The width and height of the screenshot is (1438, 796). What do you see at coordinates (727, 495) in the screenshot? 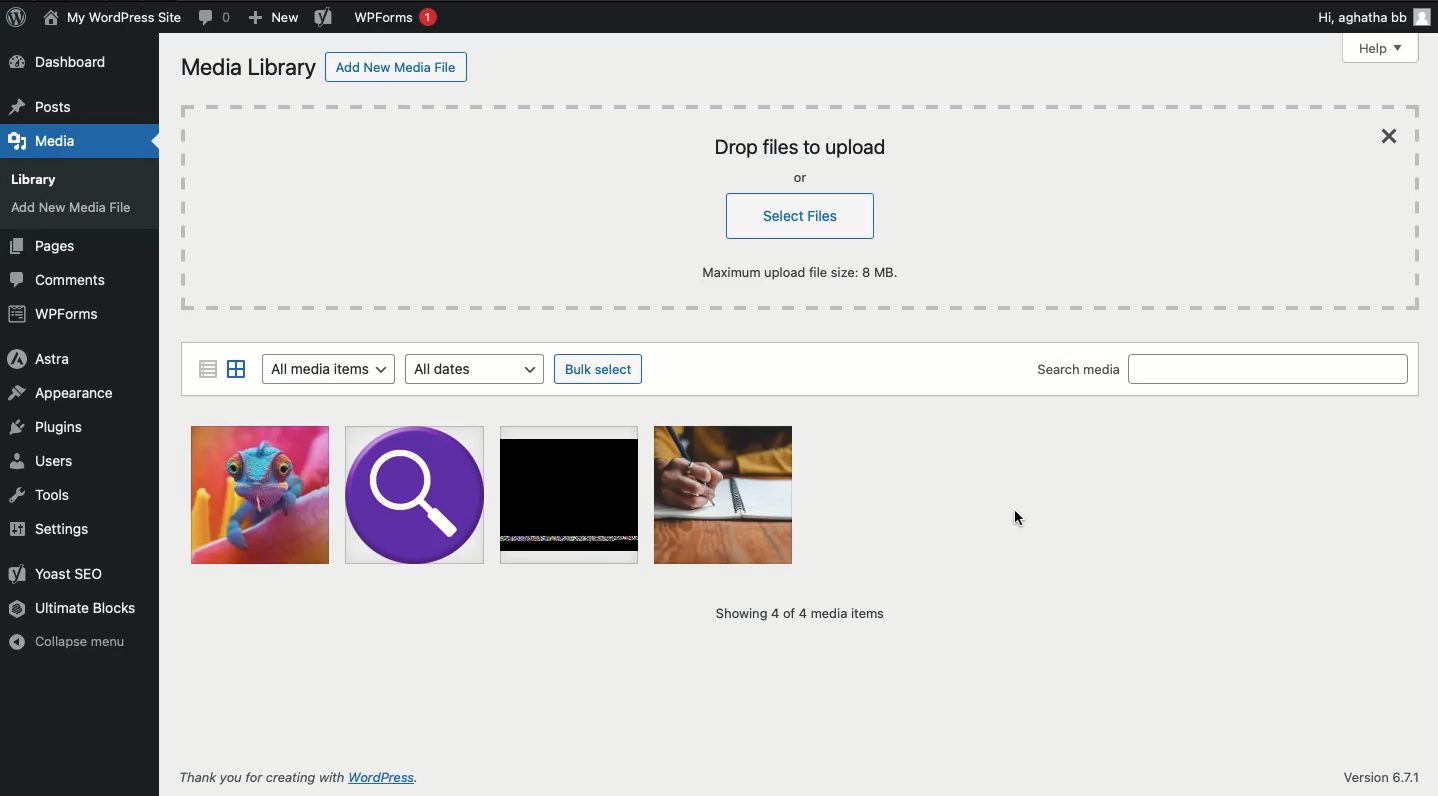
I see `image 1` at bounding box center [727, 495].